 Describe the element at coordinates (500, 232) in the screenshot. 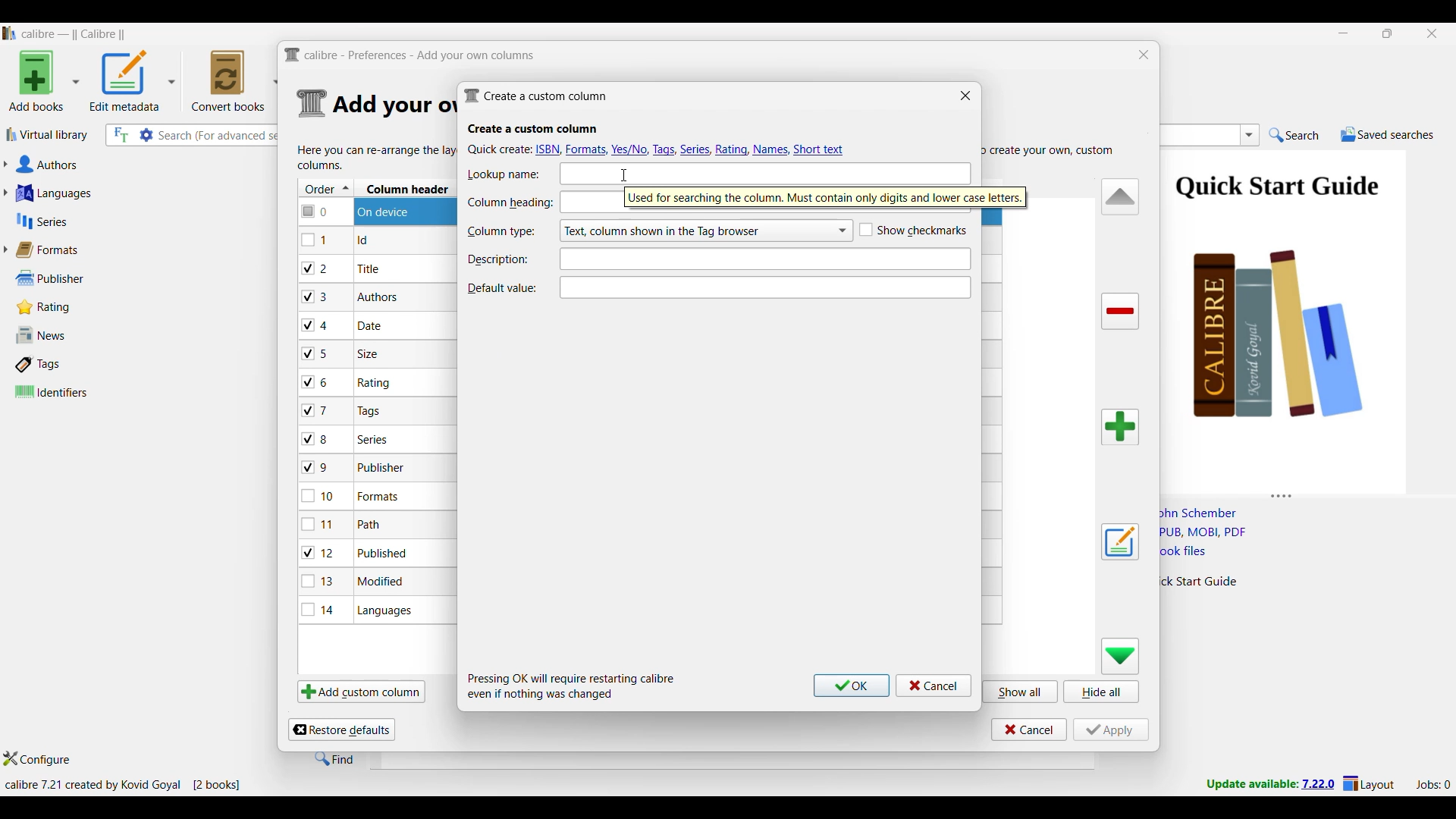

I see `Indicates Column type text box` at that location.